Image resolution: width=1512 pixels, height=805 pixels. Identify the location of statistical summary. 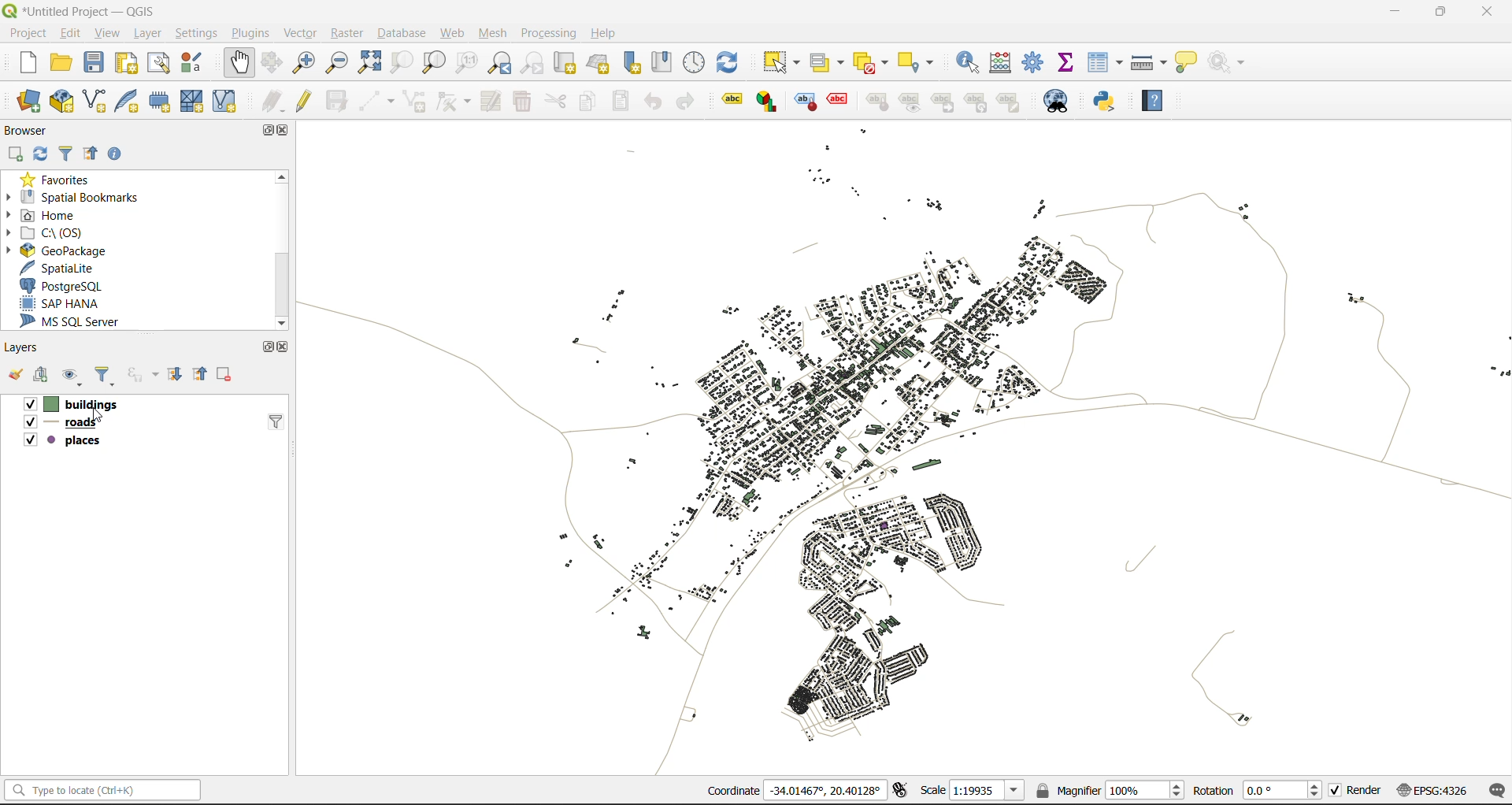
(1068, 62).